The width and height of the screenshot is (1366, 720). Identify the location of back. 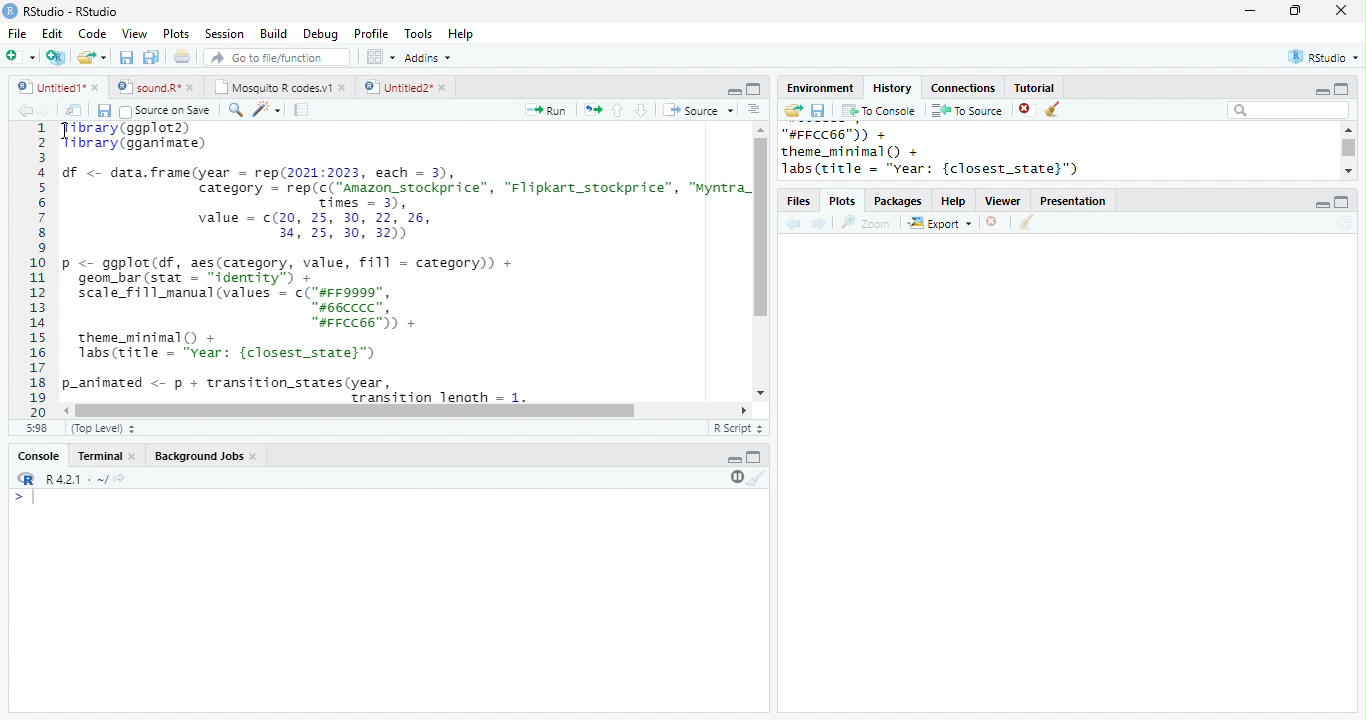
(23, 110).